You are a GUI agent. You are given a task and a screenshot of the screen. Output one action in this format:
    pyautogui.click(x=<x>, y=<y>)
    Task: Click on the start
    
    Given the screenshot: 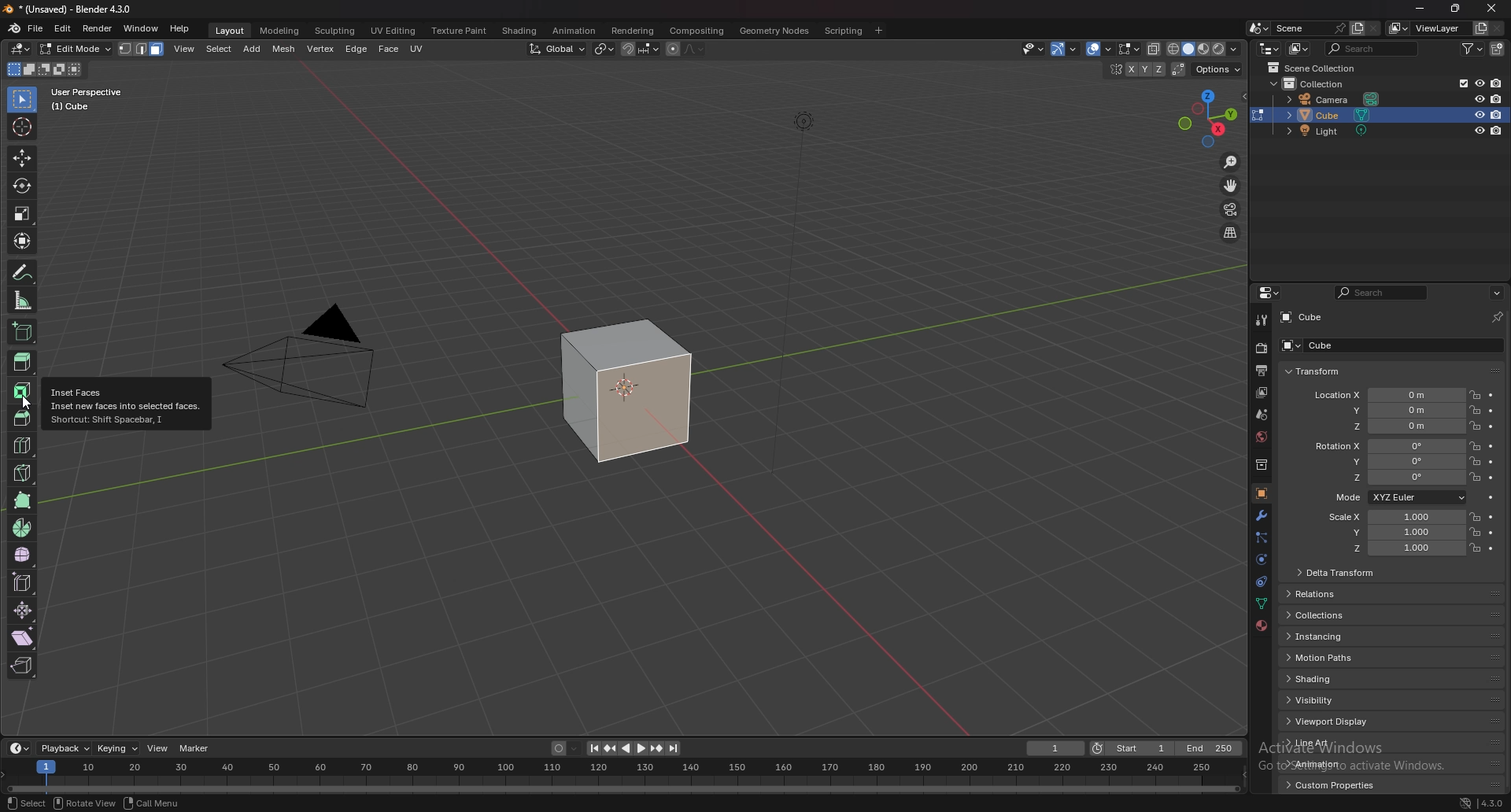 What is the action you would take?
    pyautogui.click(x=1132, y=747)
    